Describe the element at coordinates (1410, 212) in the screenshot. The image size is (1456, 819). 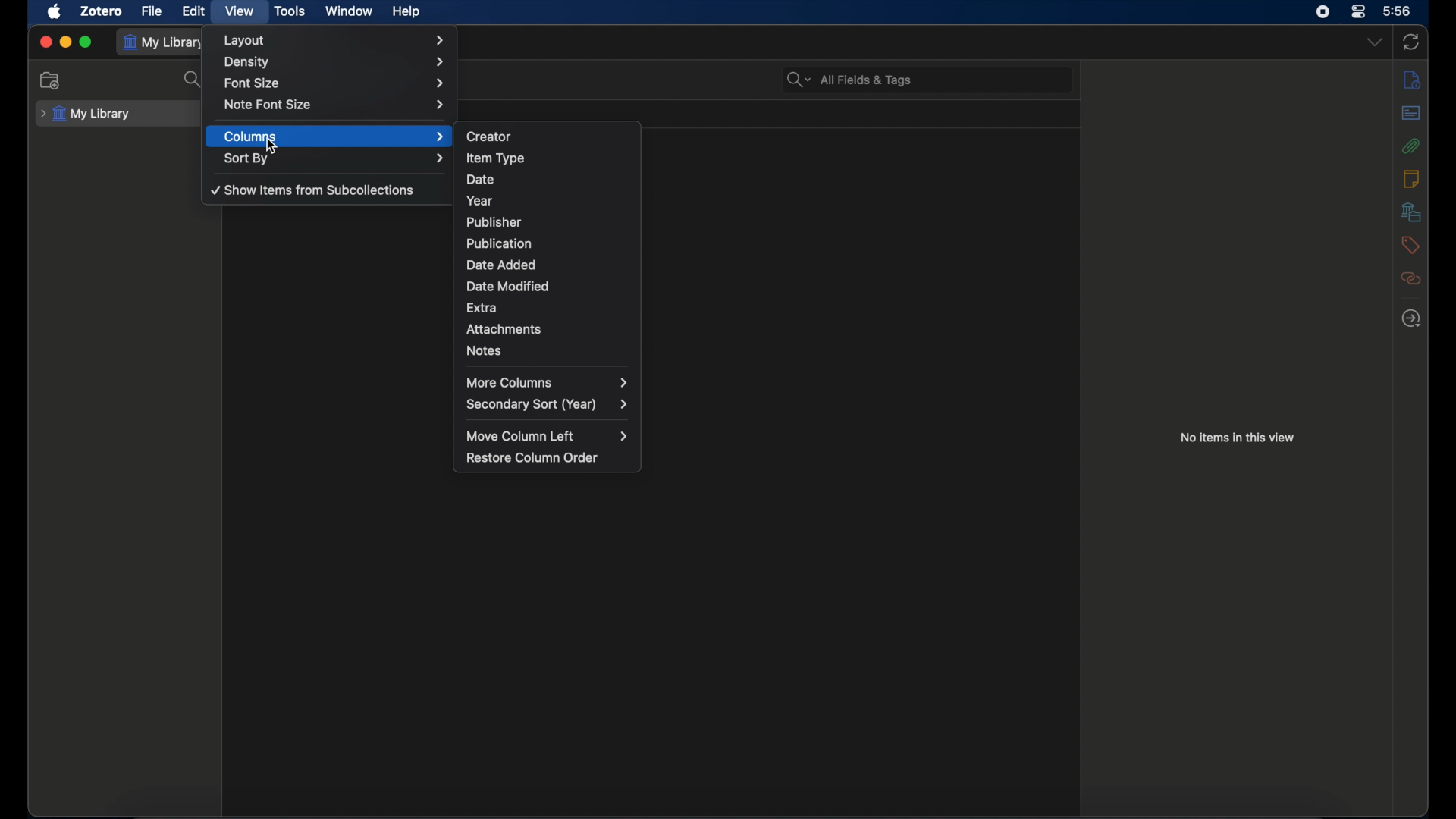
I see `libraries` at that location.